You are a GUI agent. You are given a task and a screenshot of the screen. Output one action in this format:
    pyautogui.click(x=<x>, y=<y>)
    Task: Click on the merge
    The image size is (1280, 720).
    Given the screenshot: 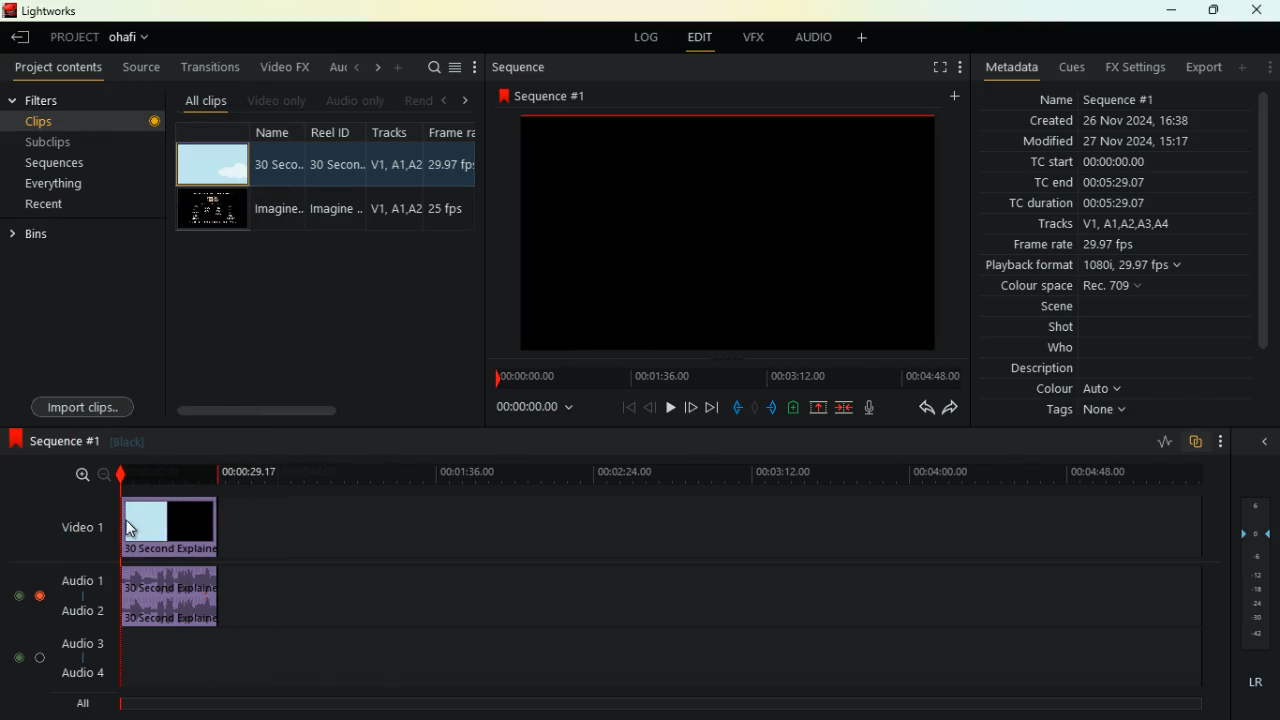 What is the action you would take?
    pyautogui.click(x=845, y=408)
    